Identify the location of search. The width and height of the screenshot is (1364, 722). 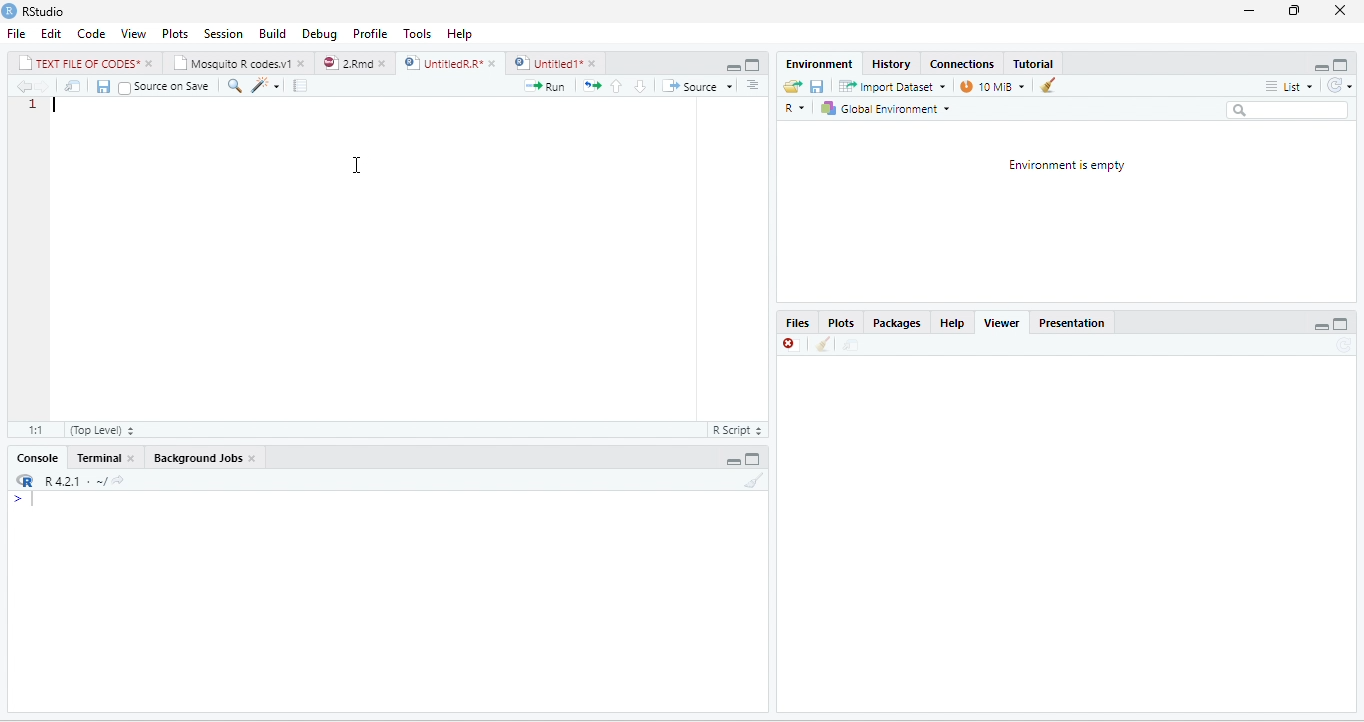
(1288, 109).